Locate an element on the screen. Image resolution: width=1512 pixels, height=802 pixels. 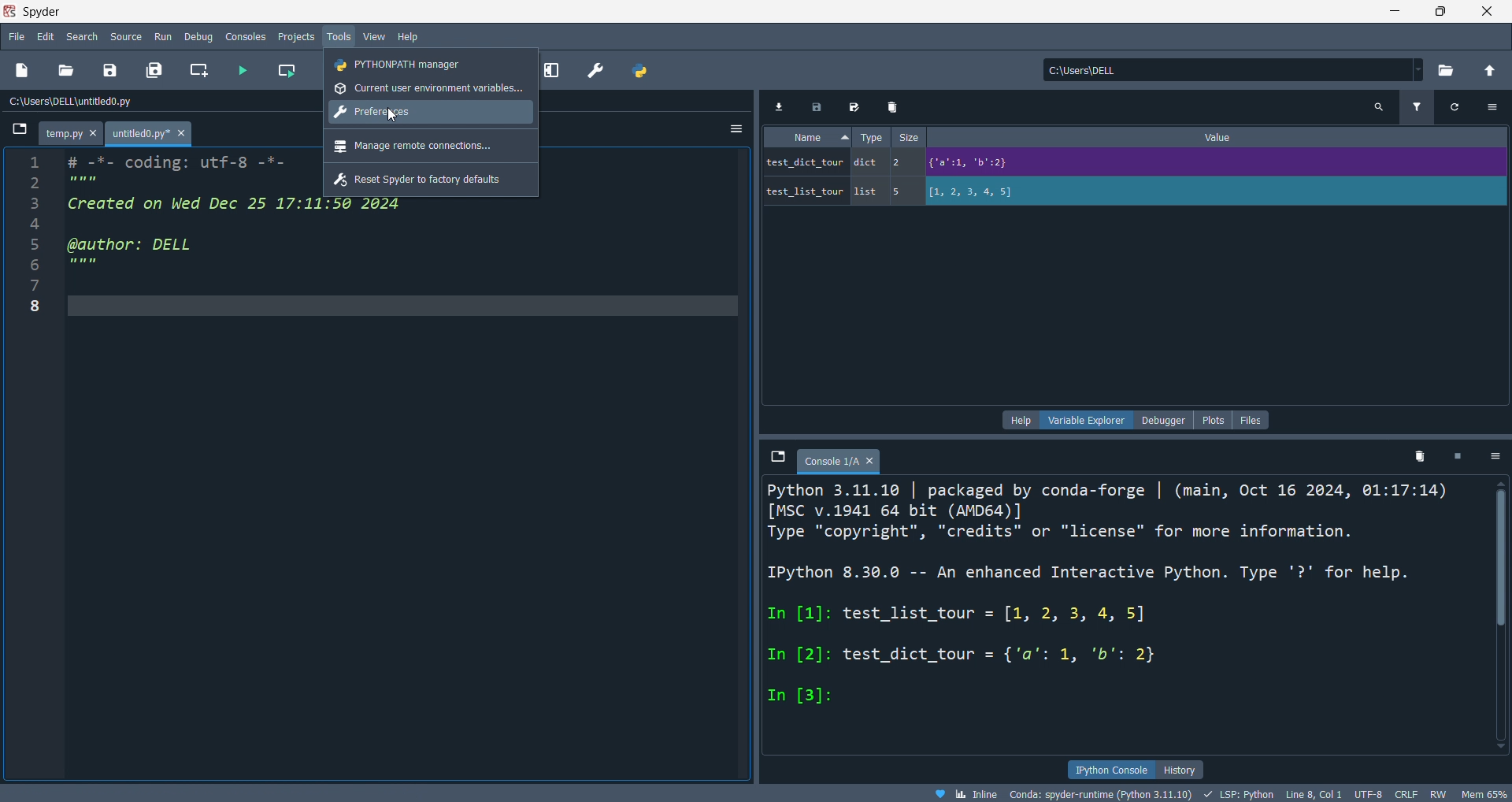
import data is located at coordinates (783, 109).